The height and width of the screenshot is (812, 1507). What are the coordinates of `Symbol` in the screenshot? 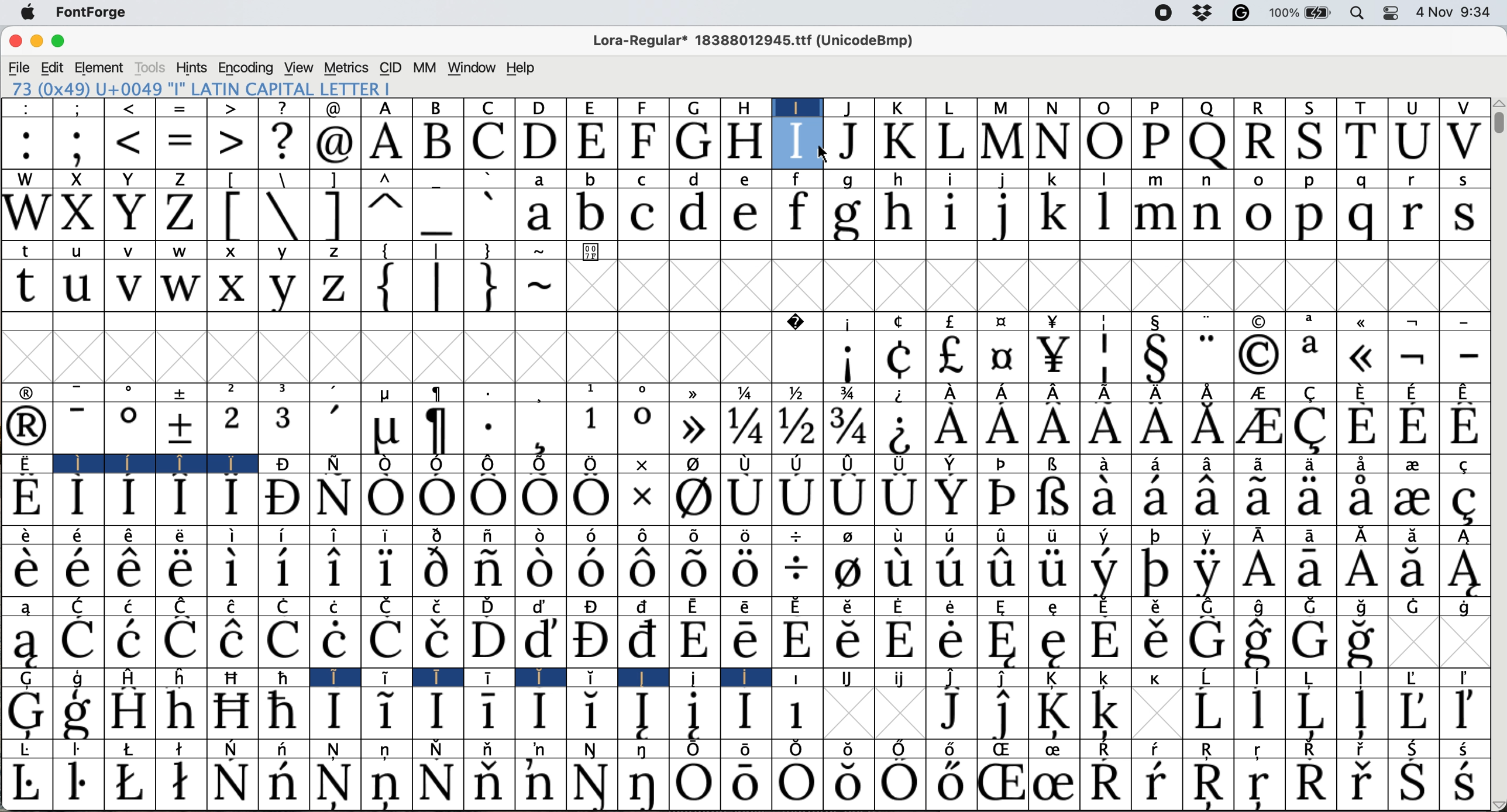 It's located at (900, 641).